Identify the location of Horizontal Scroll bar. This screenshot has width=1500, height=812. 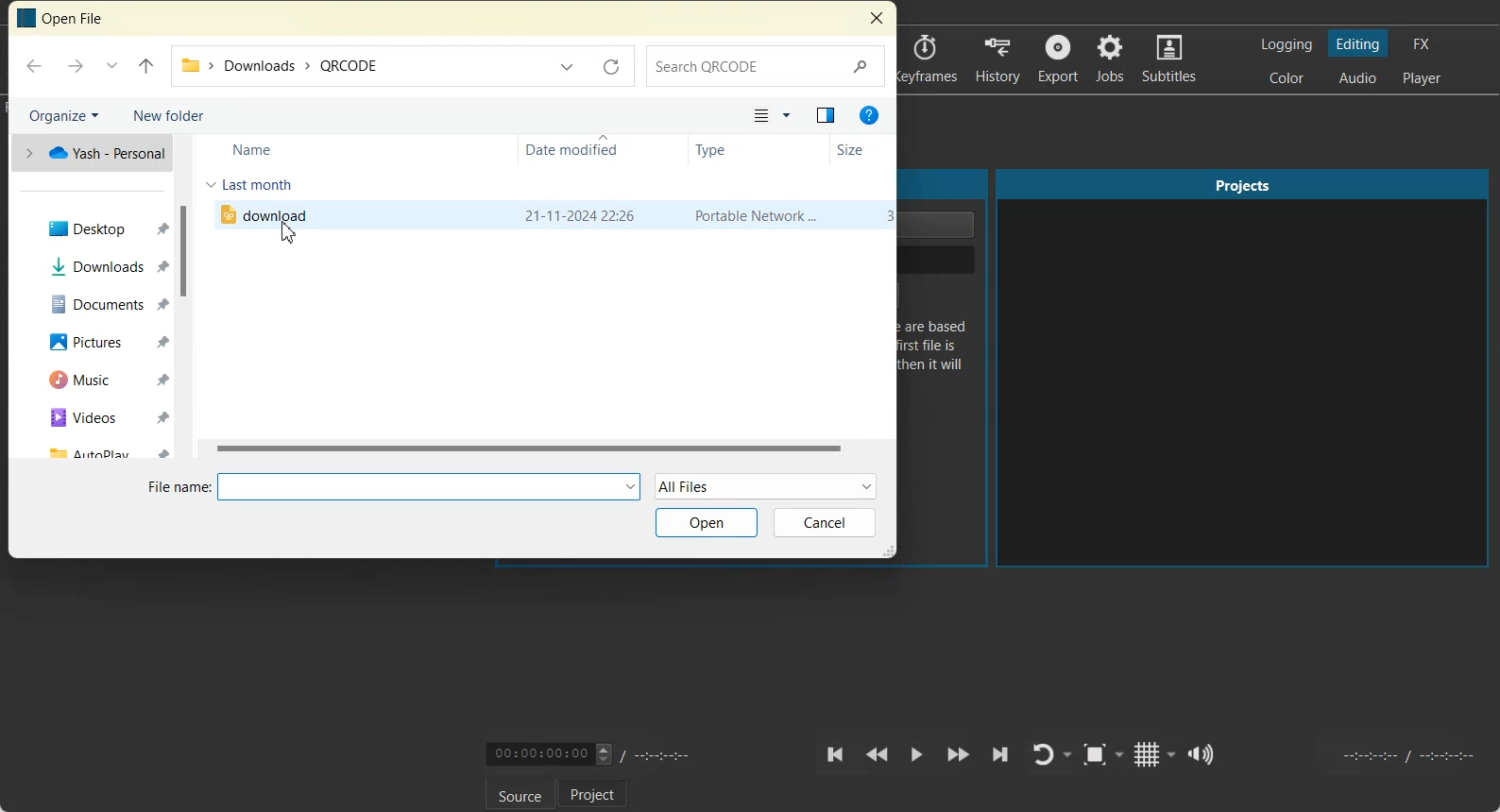
(545, 449).